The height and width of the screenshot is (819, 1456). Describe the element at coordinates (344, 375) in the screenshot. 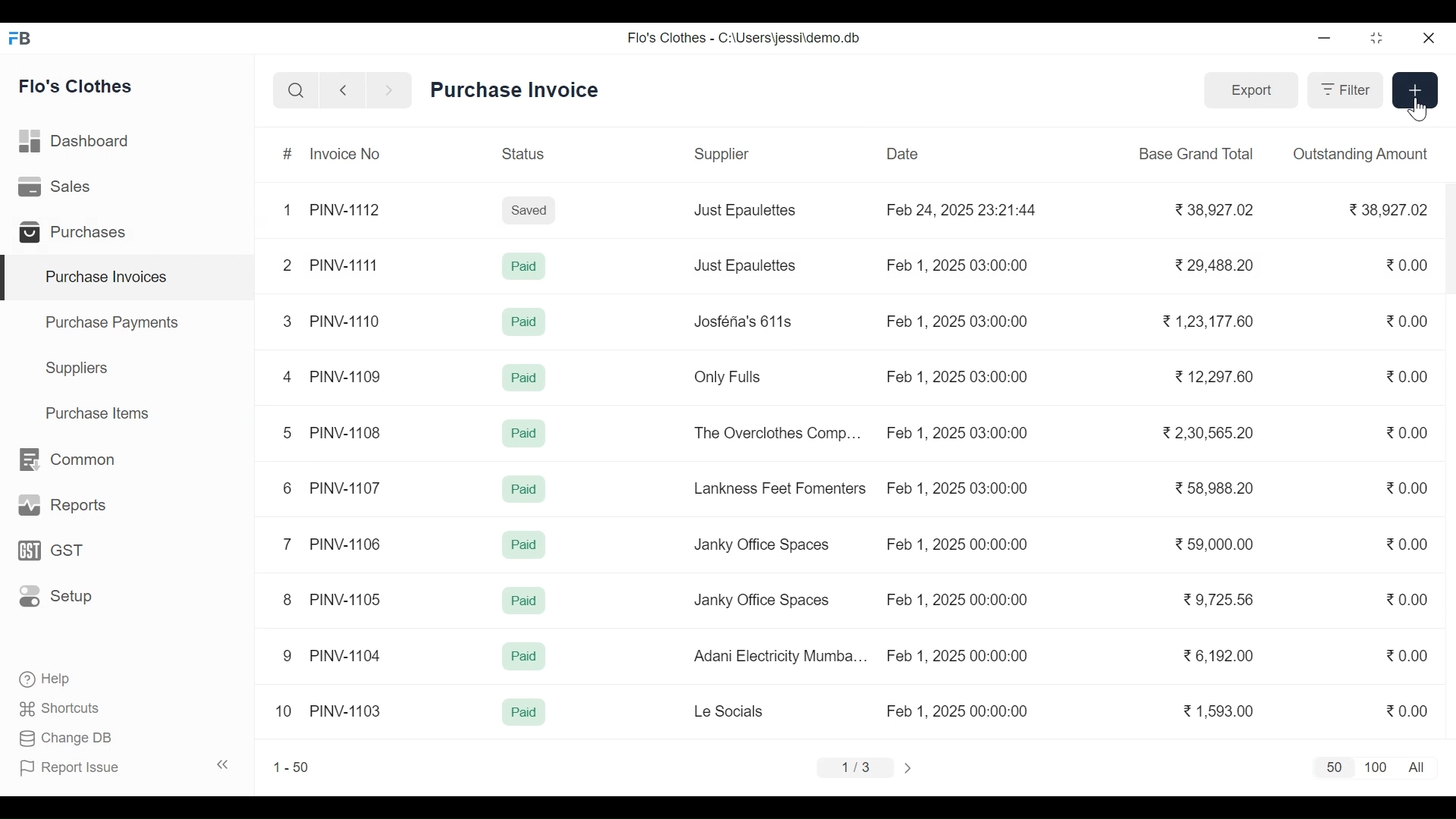

I see `PINV-1109` at that location.